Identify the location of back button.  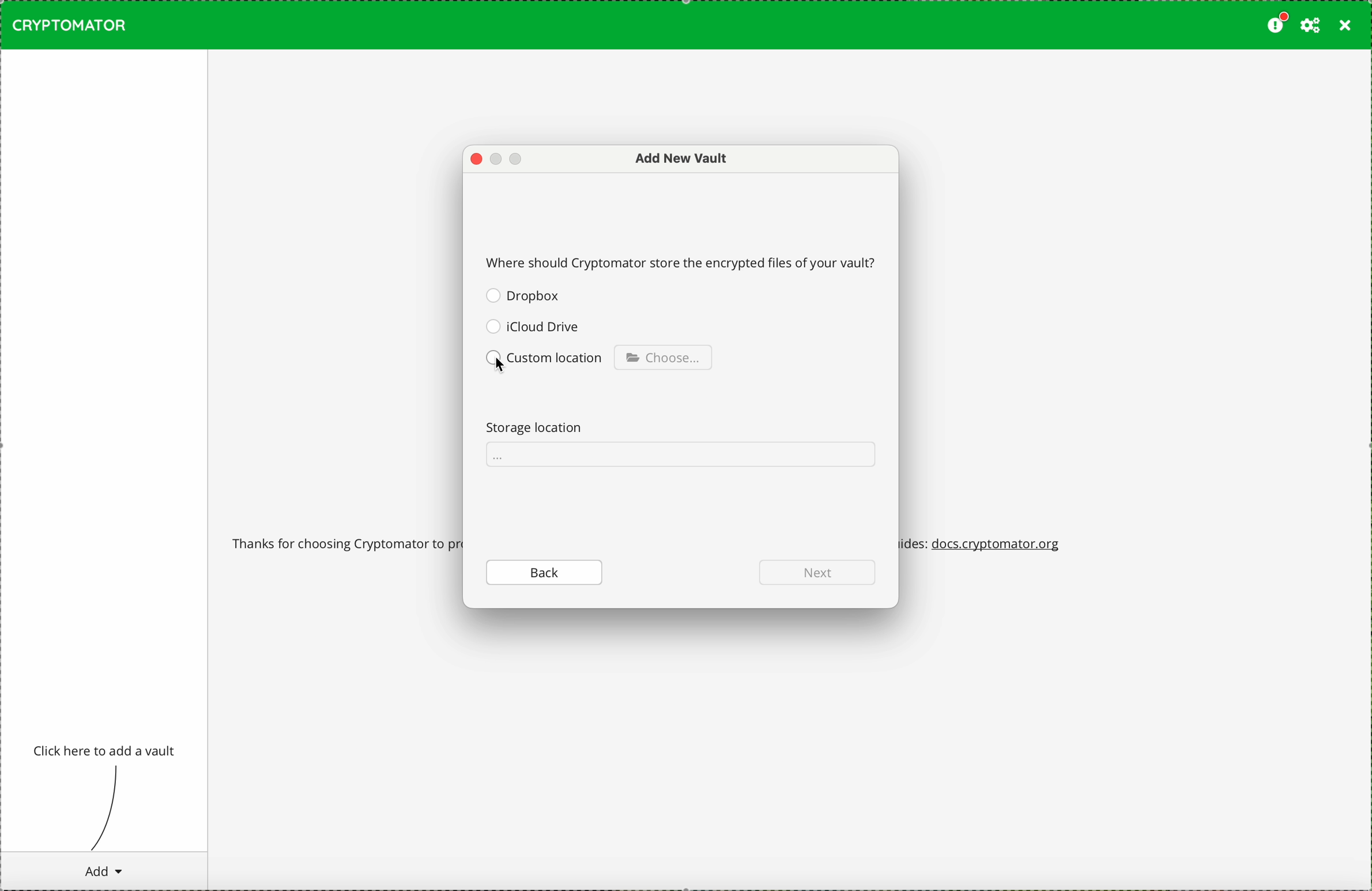
(545, 572).